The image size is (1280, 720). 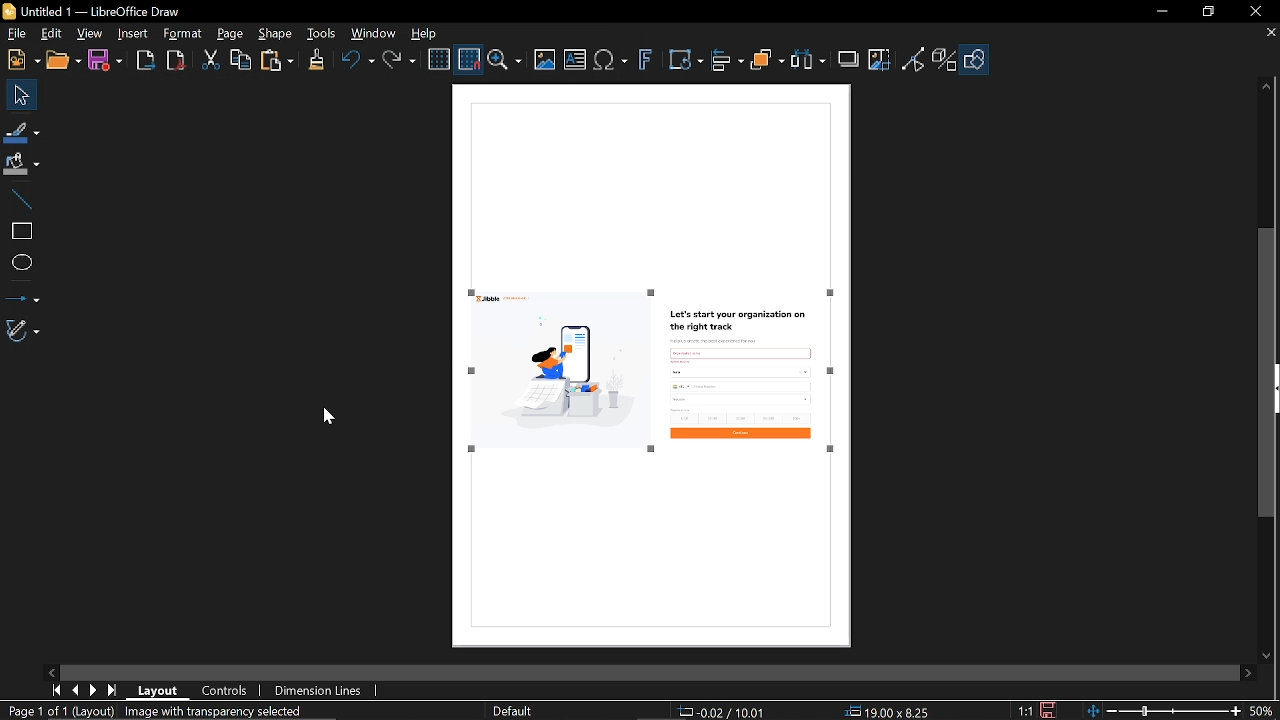 I want to click on Display grid, so click(x=439, y=59).